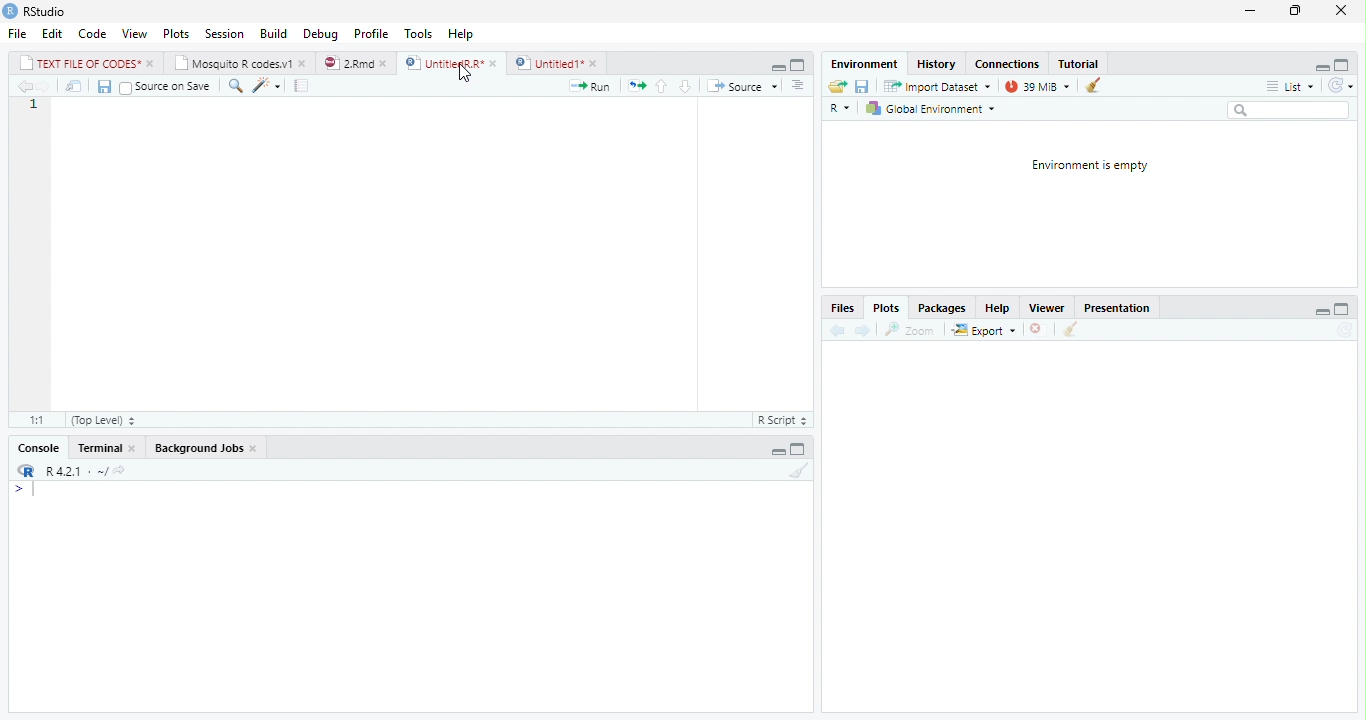 This screenshot has height=720, width=1366. Describe the element at coordinates (24, 470) in the screenshot. I see `R` at that location.